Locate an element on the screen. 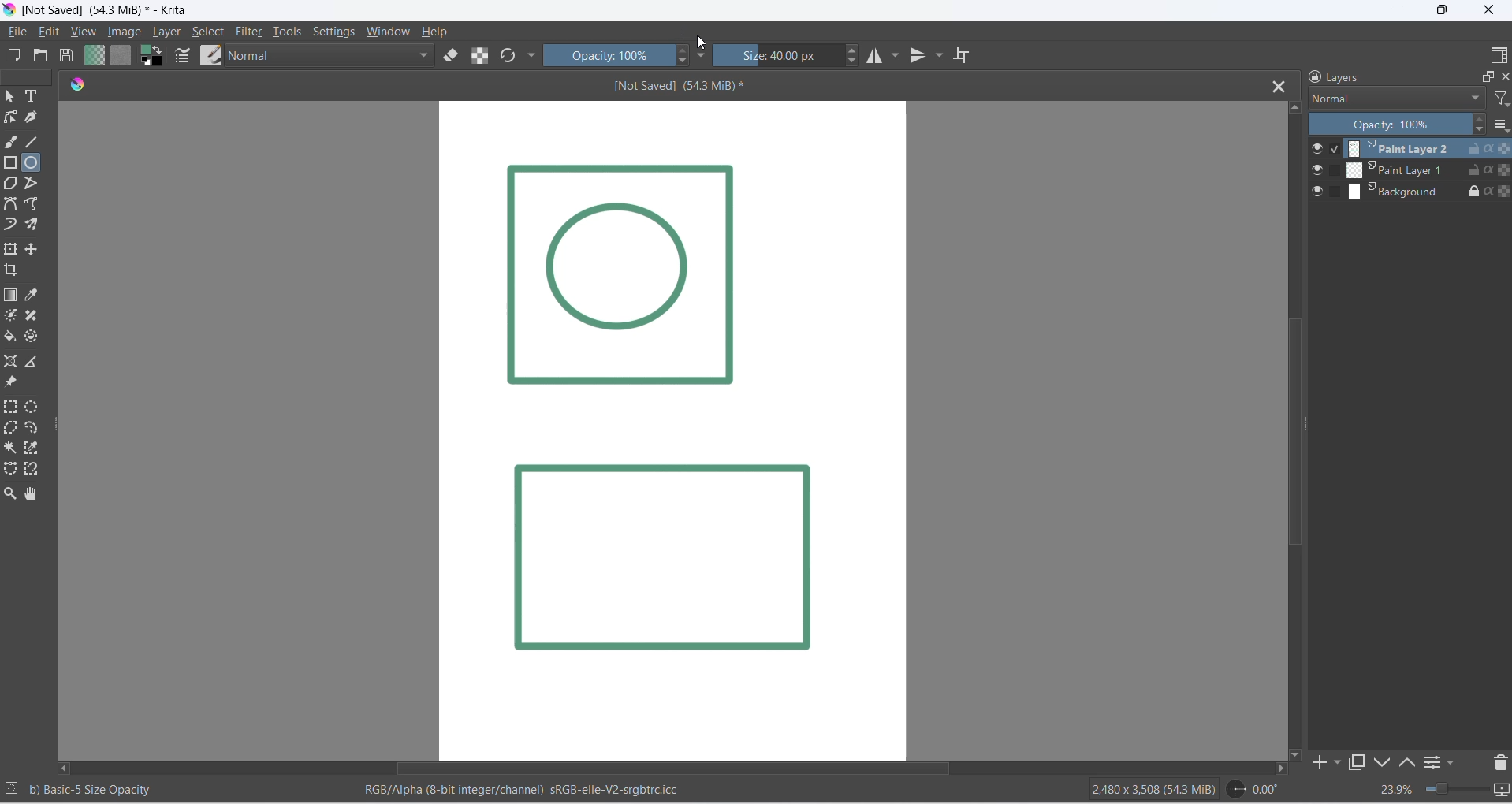  freehand path tool is located at coordinates (37, 204).